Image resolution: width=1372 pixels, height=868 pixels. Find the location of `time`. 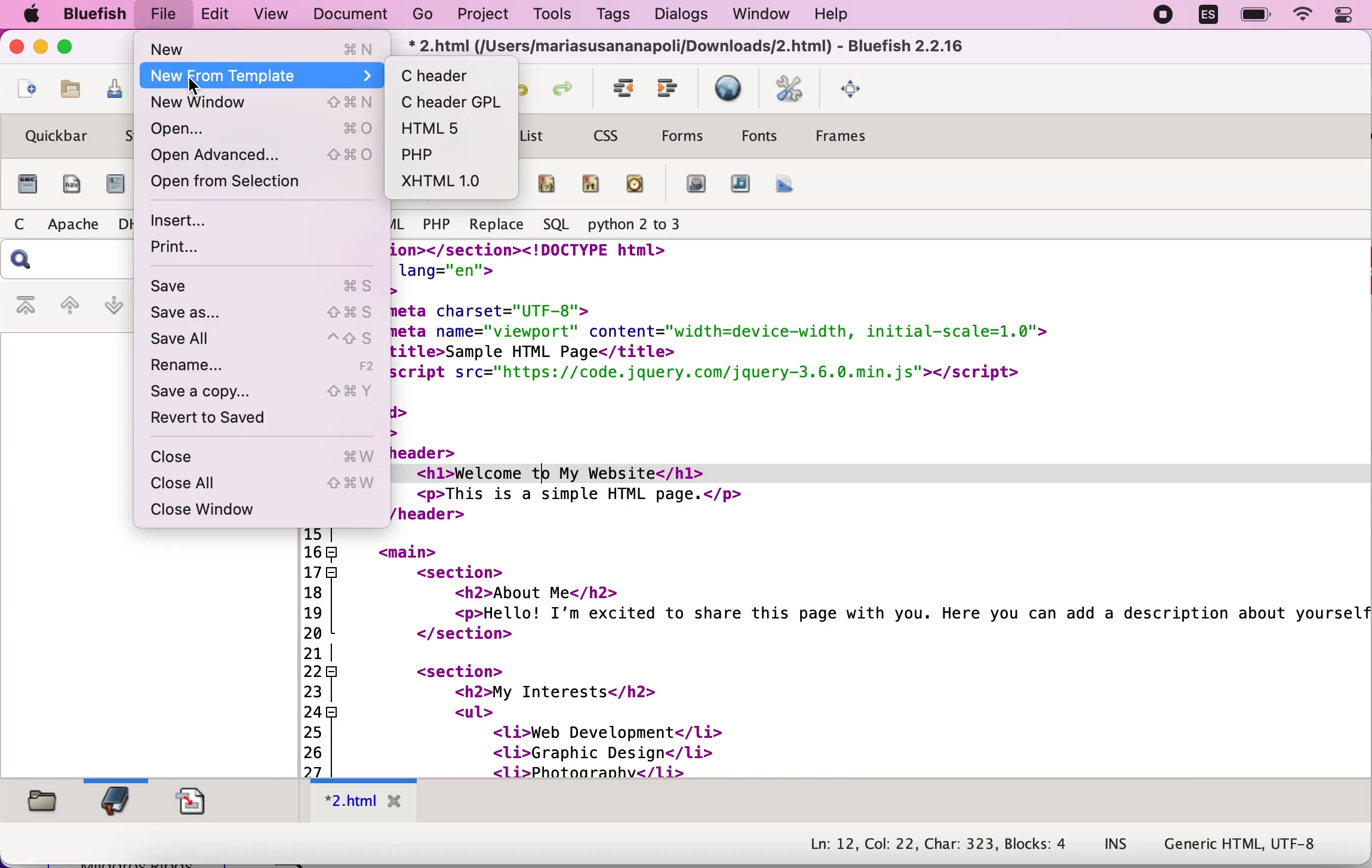

time is located at coordinates (637, 186).